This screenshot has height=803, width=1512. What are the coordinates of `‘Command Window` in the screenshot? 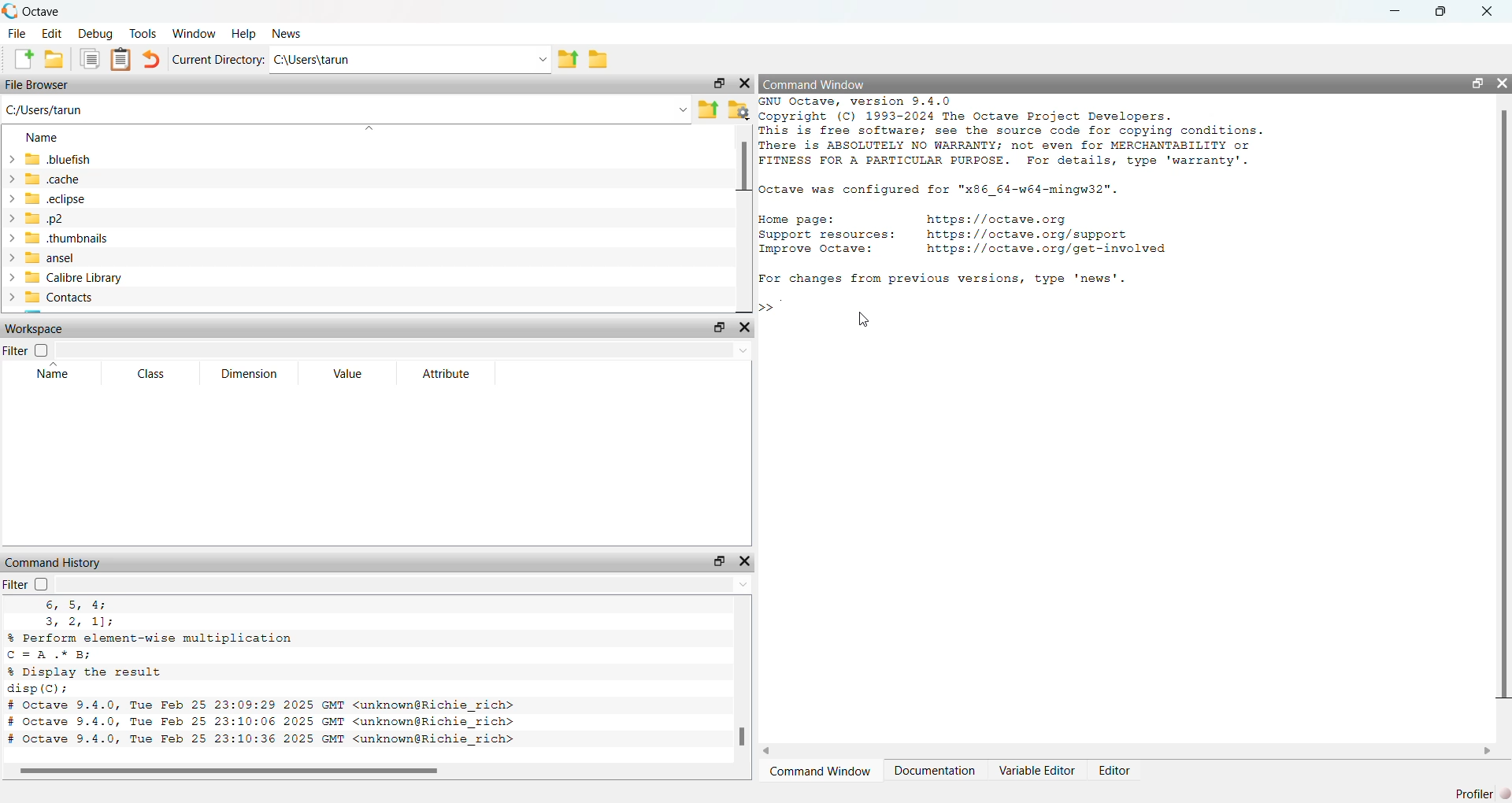 It's located at (821, 772).